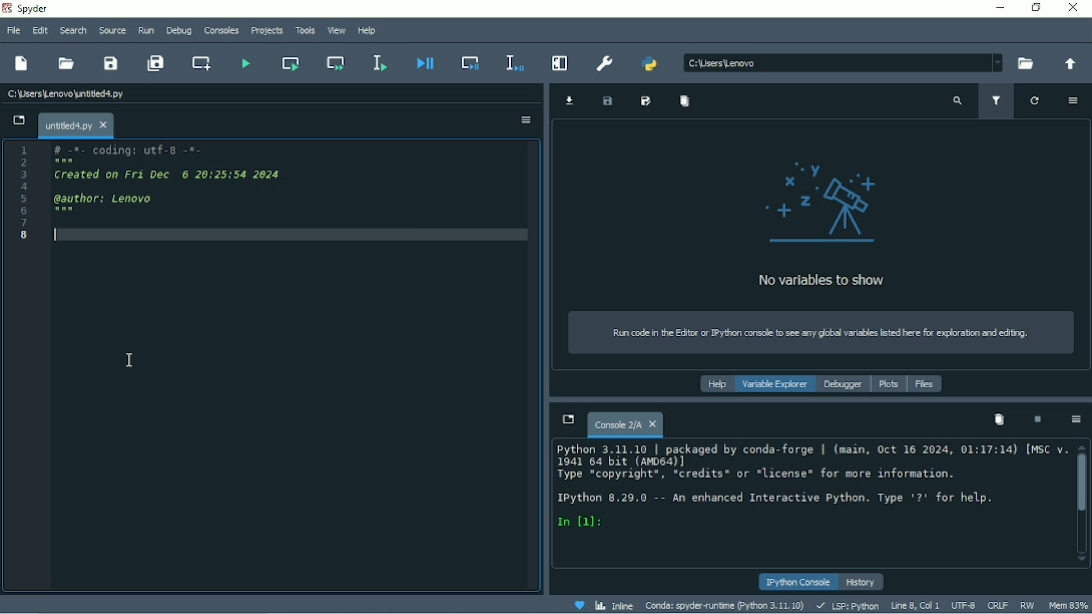 The width and height of the screenshot is (1092, 614). What do you see at coordinates (110, 64) in the screenshot?
I see `Save file` at bounding box center [110, 64].